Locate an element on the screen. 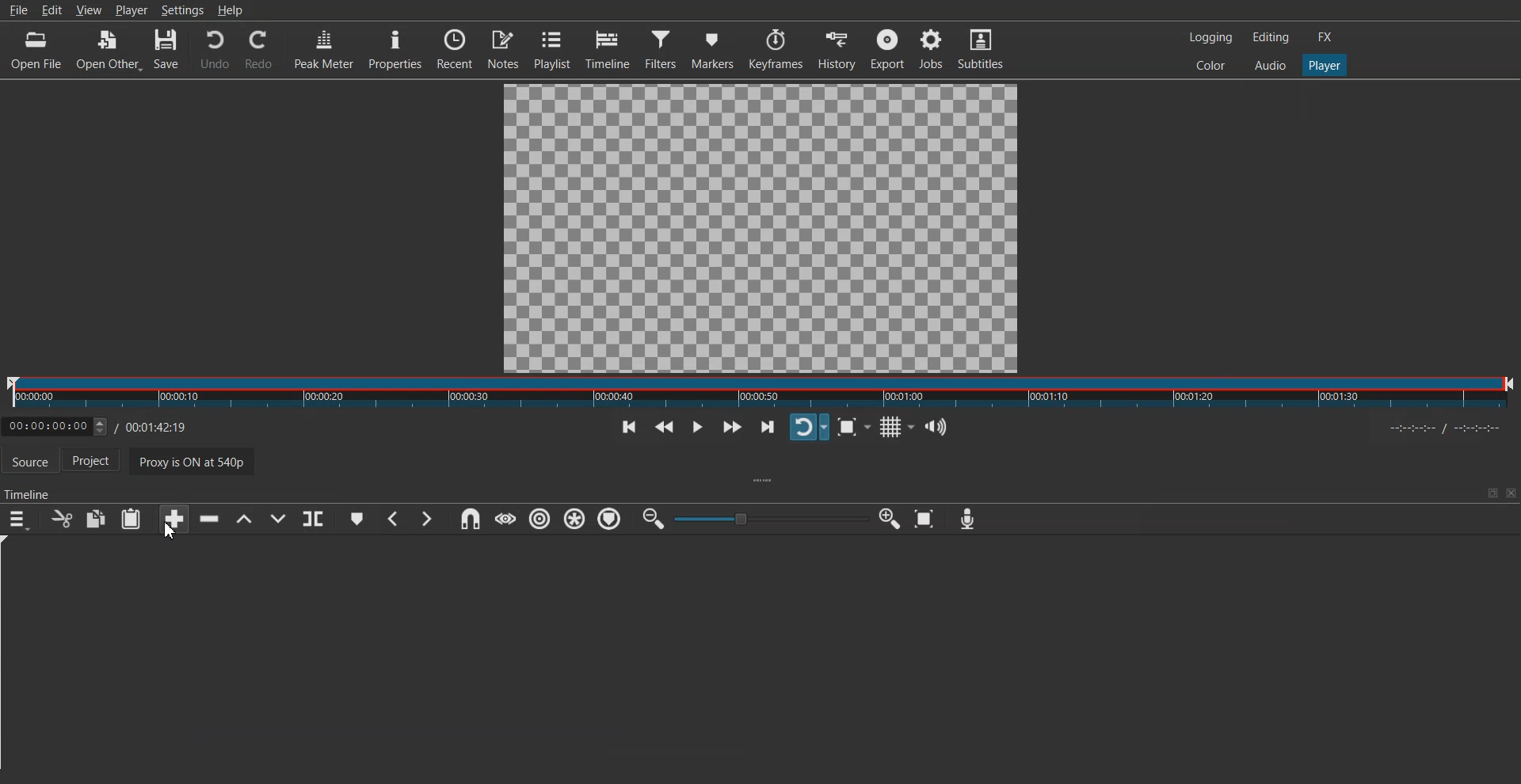  Ripple is located at coordinates (540, 519).